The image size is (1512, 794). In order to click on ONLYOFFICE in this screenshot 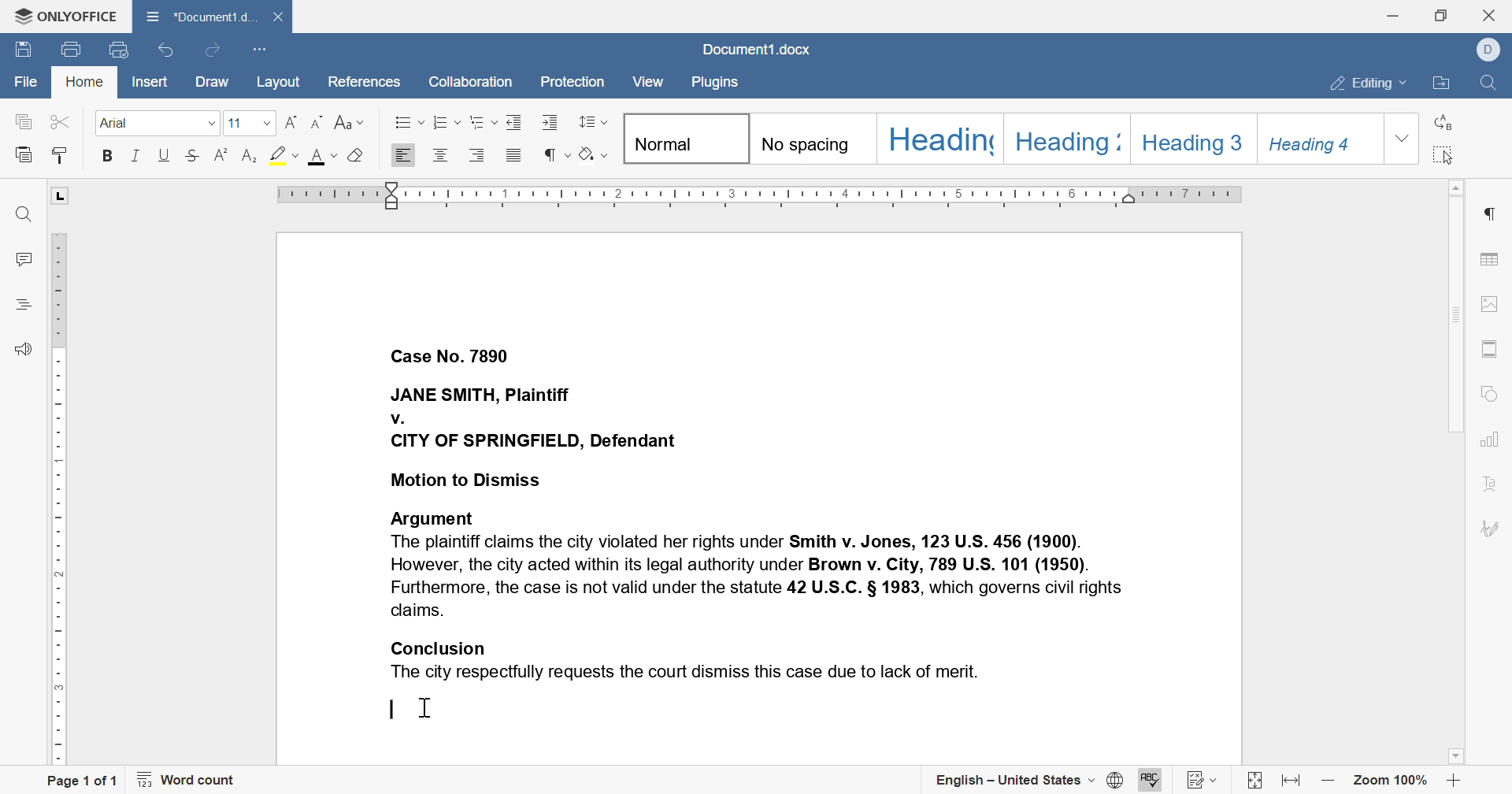, I will do `click(63, 19)`.